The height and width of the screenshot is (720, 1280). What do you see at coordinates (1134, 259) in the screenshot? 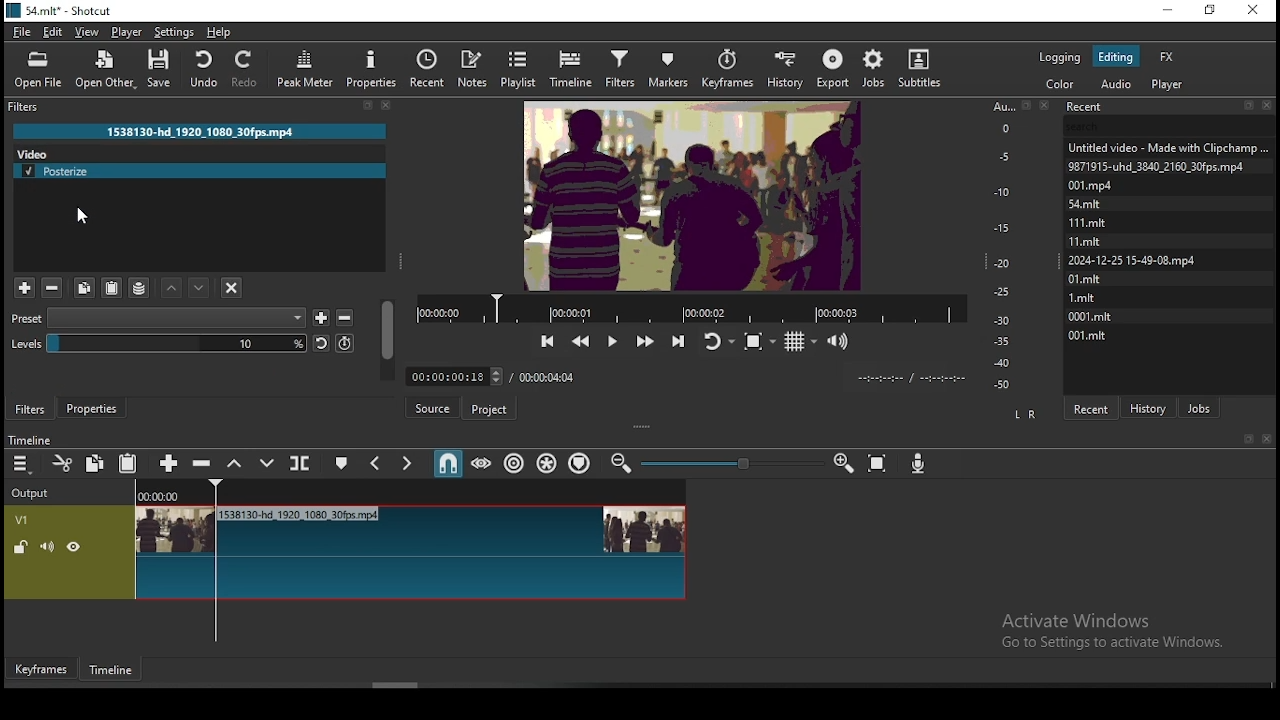
I see `2024-12-25 15-49-08. mp4` at bounding box center [1134, 259].